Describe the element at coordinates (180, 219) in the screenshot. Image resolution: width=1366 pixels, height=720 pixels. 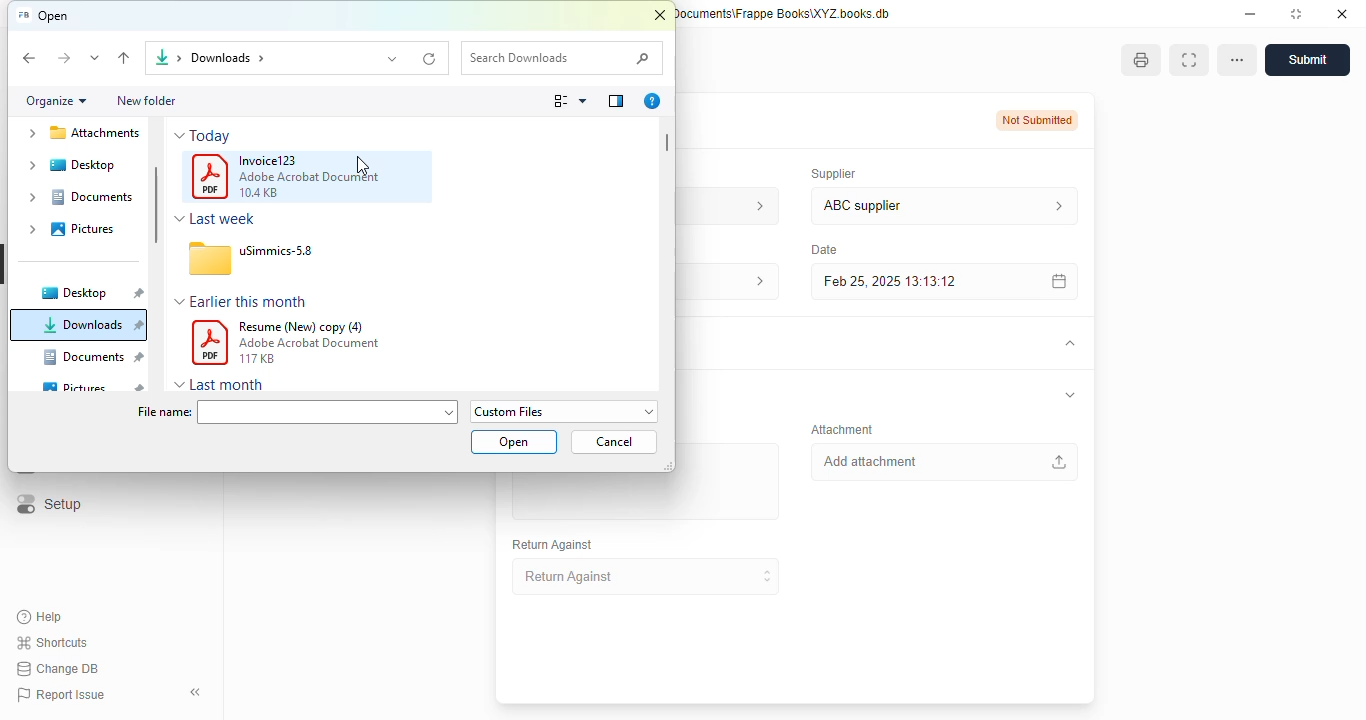
I see `dropdown` at that location.